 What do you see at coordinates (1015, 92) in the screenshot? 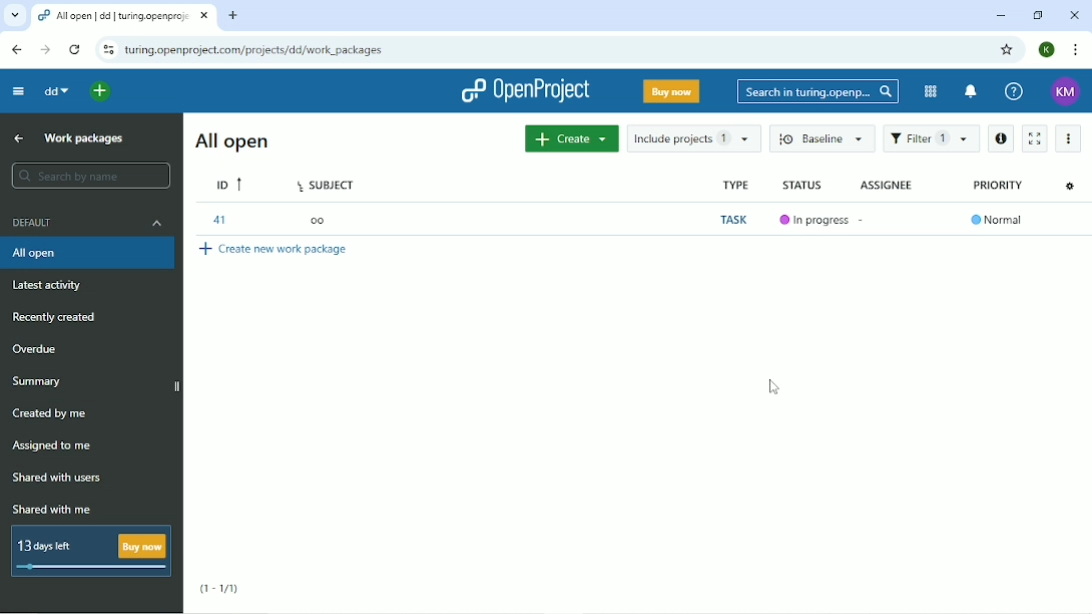
I see `Help` at bounding box center [1015, 92].